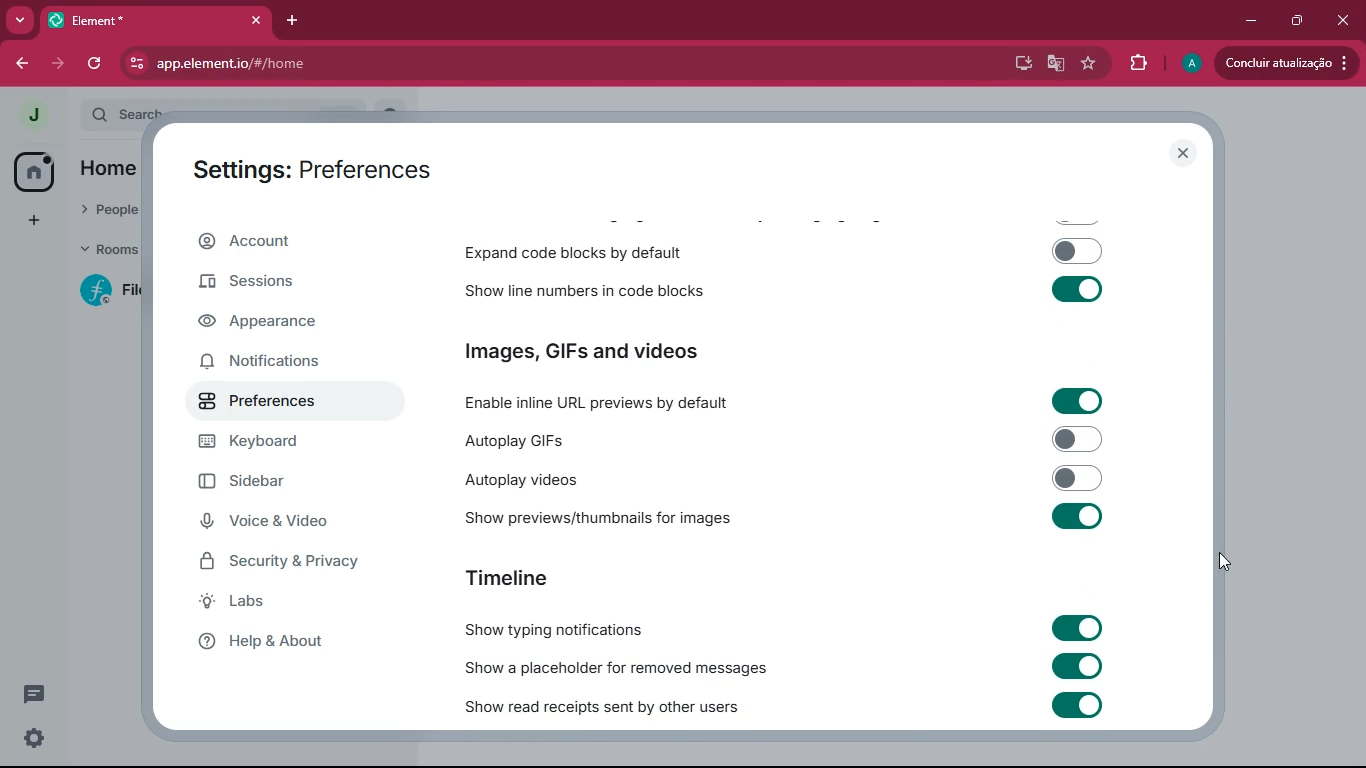 Image resolution: width=1366 pixels, height=768 pixels. I want to click on show read receipts sent by other users, so click(630, 705).